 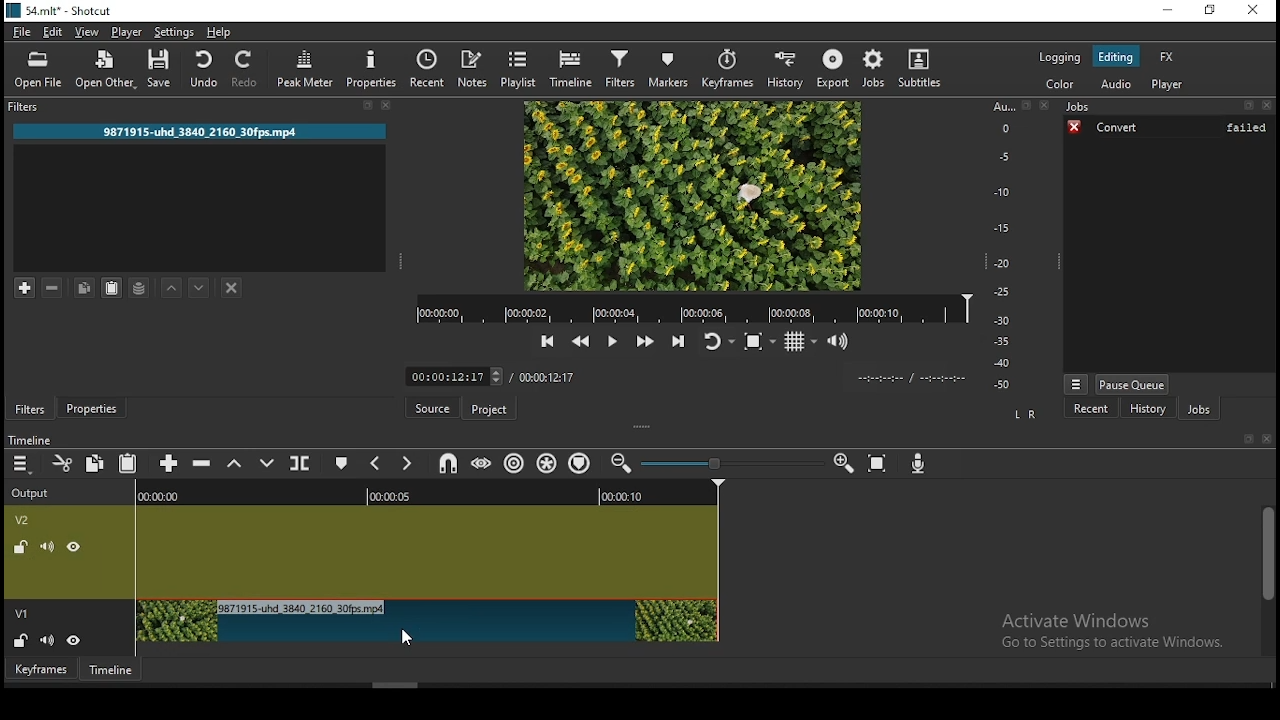 What do you see at coordinates (199, 288) in the screenshot?
I see `move filter down` at bounding box center [199, 288].